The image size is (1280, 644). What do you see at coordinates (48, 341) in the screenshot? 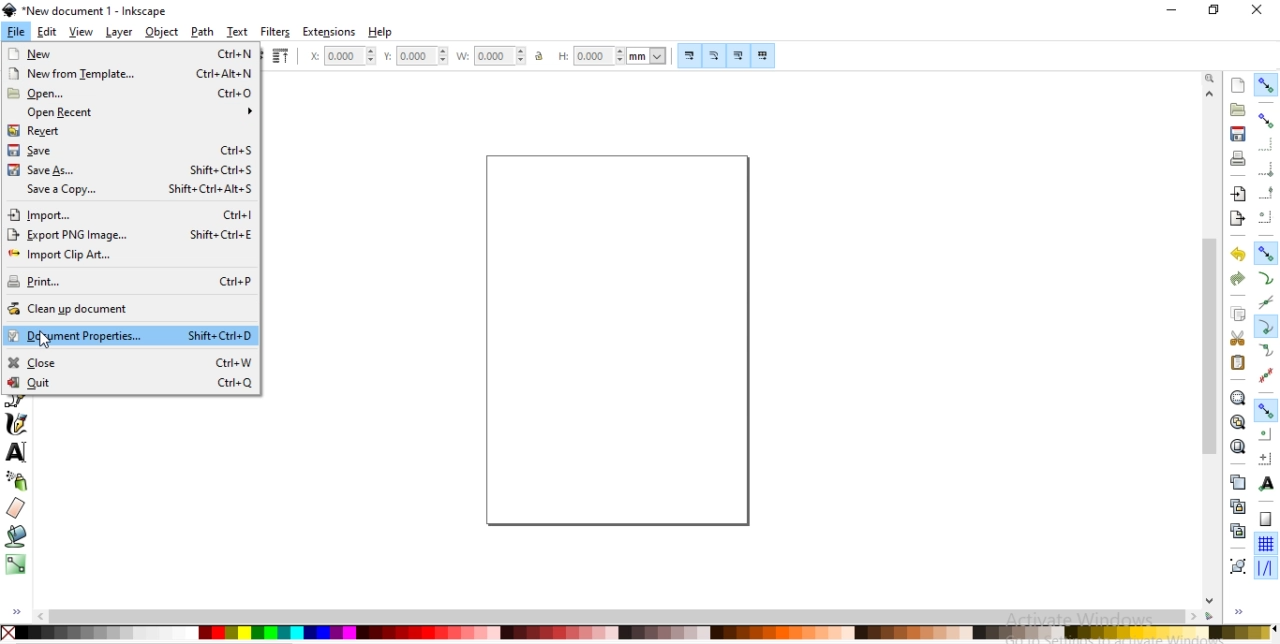
I see `cursor` at bounding box center [48, 341].